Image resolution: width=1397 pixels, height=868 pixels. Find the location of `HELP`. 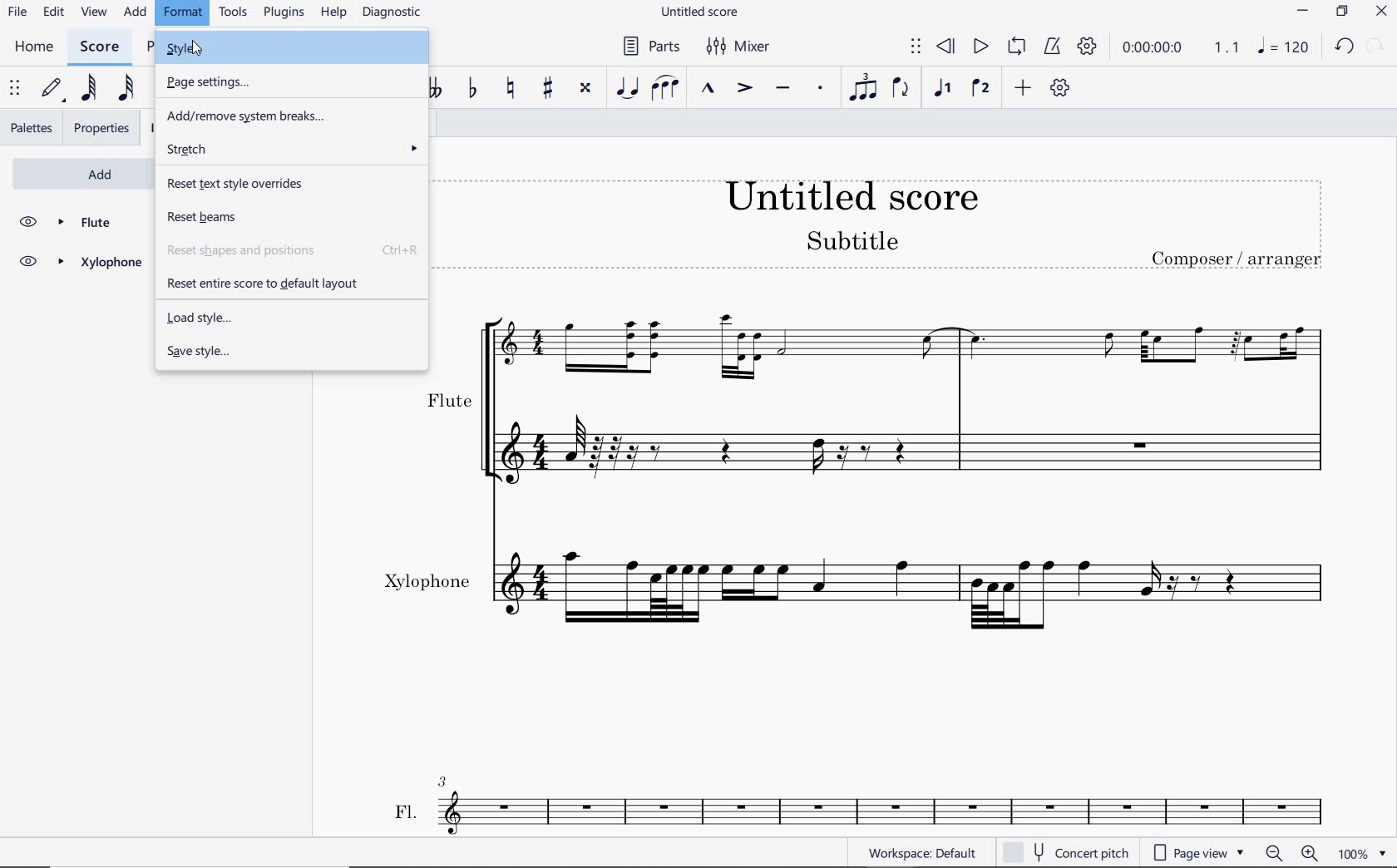

HELP is located at coordinates (333, 13).